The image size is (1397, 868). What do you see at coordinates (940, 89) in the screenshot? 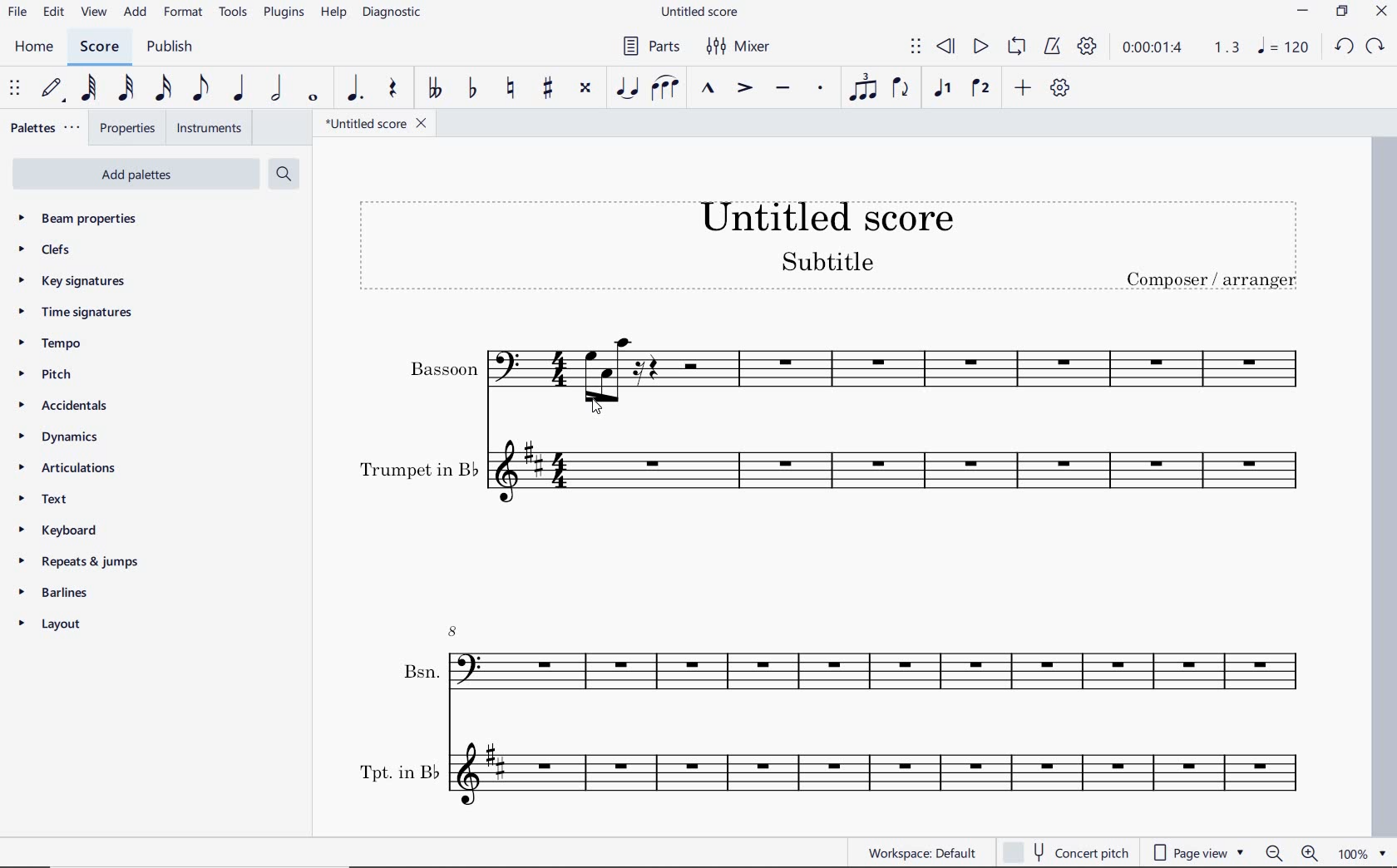
I see `voice 1` at bounding box center [940, 89].